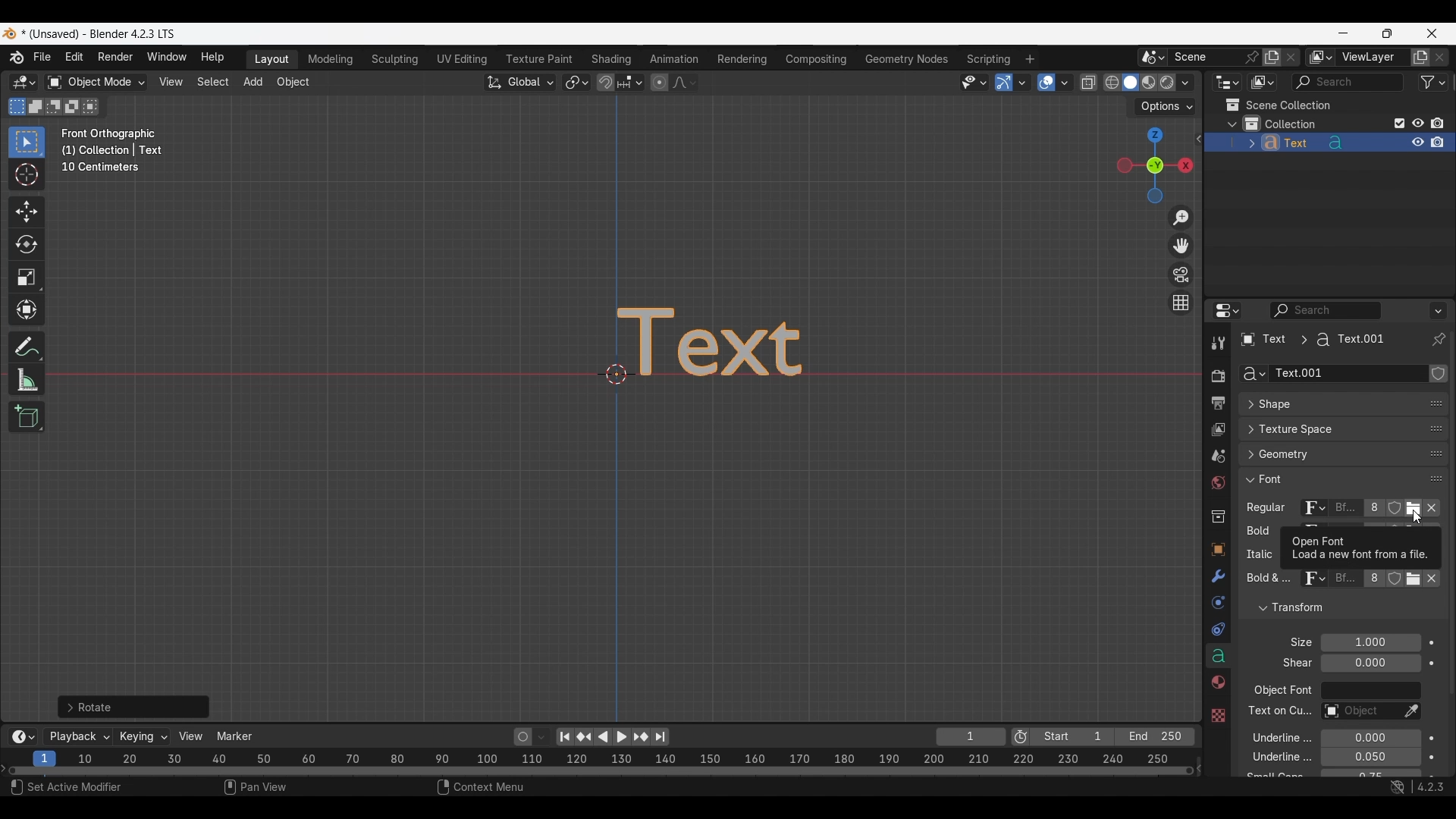  Describe the element at coordinates (1197, 139) in the screenshot. I see `Click to see more edit options` at that location.